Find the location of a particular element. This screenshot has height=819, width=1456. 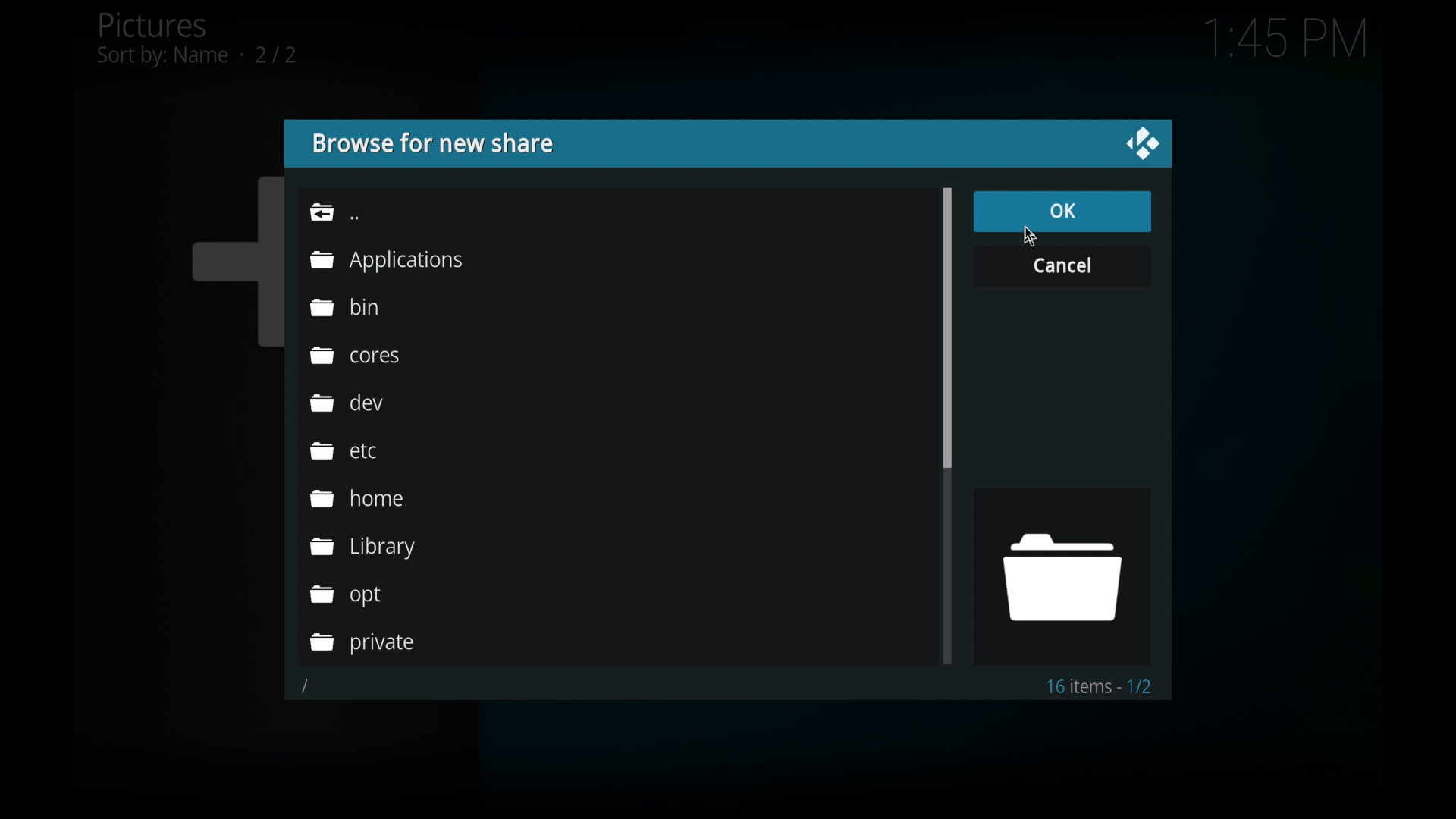

dev is located at coordinates (347, 402).